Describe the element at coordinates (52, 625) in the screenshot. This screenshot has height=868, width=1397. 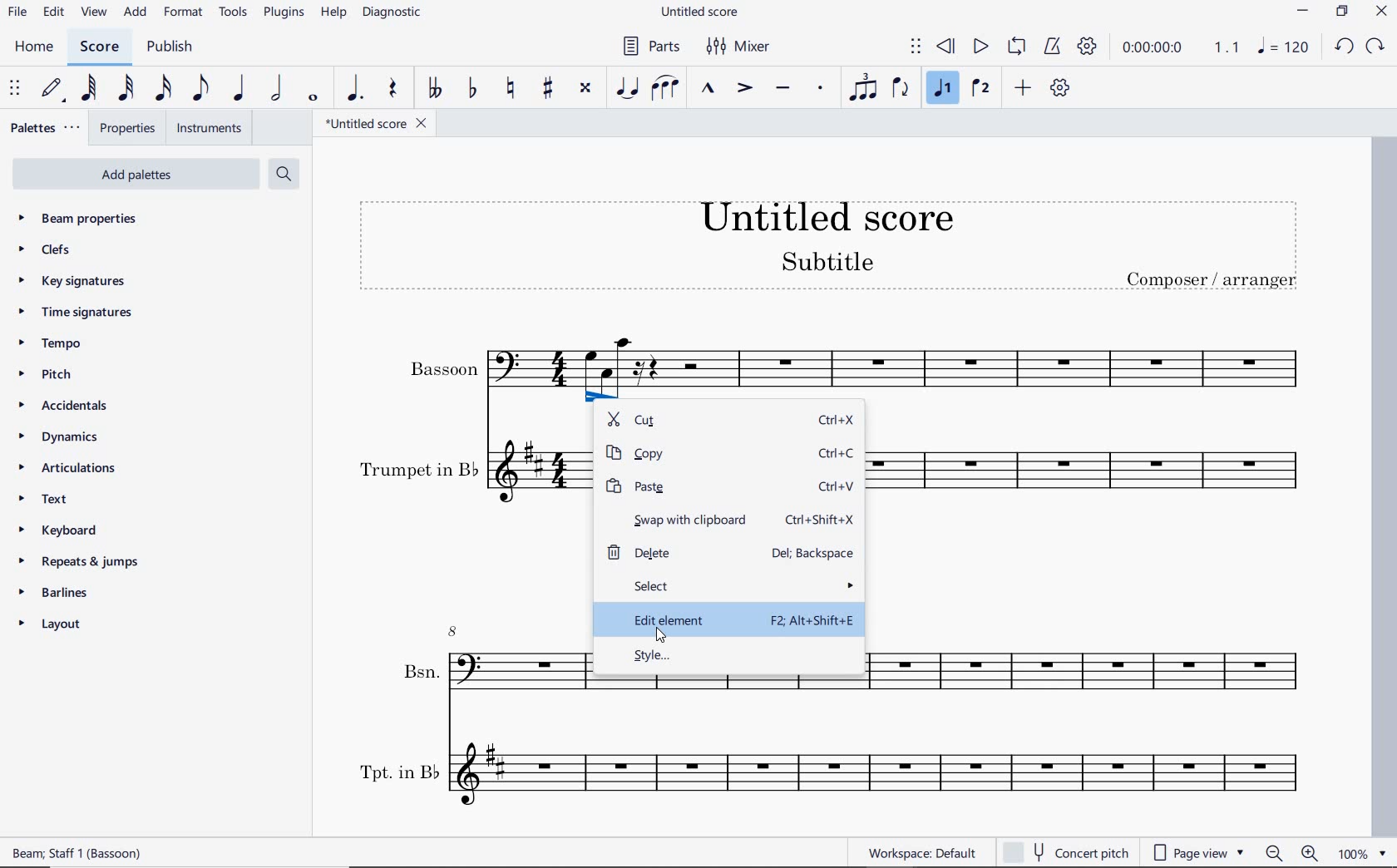
I see `layout` at that location.